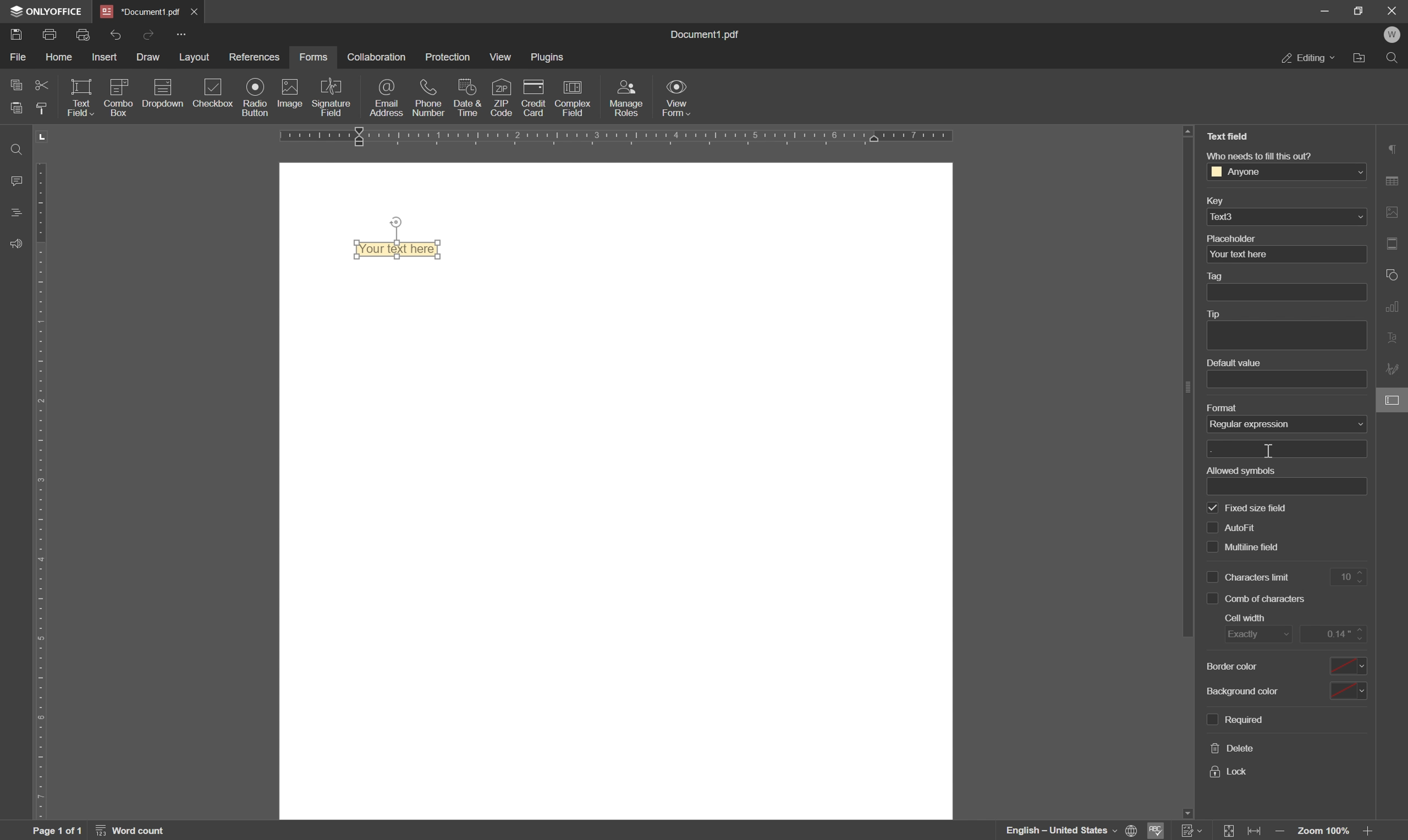 Image resolution: width=1408 pixels, height=840 pixels. What do you see at coordinates (13, 85) in the screenshot?
I see `copy` at bounding box center [13, 85].